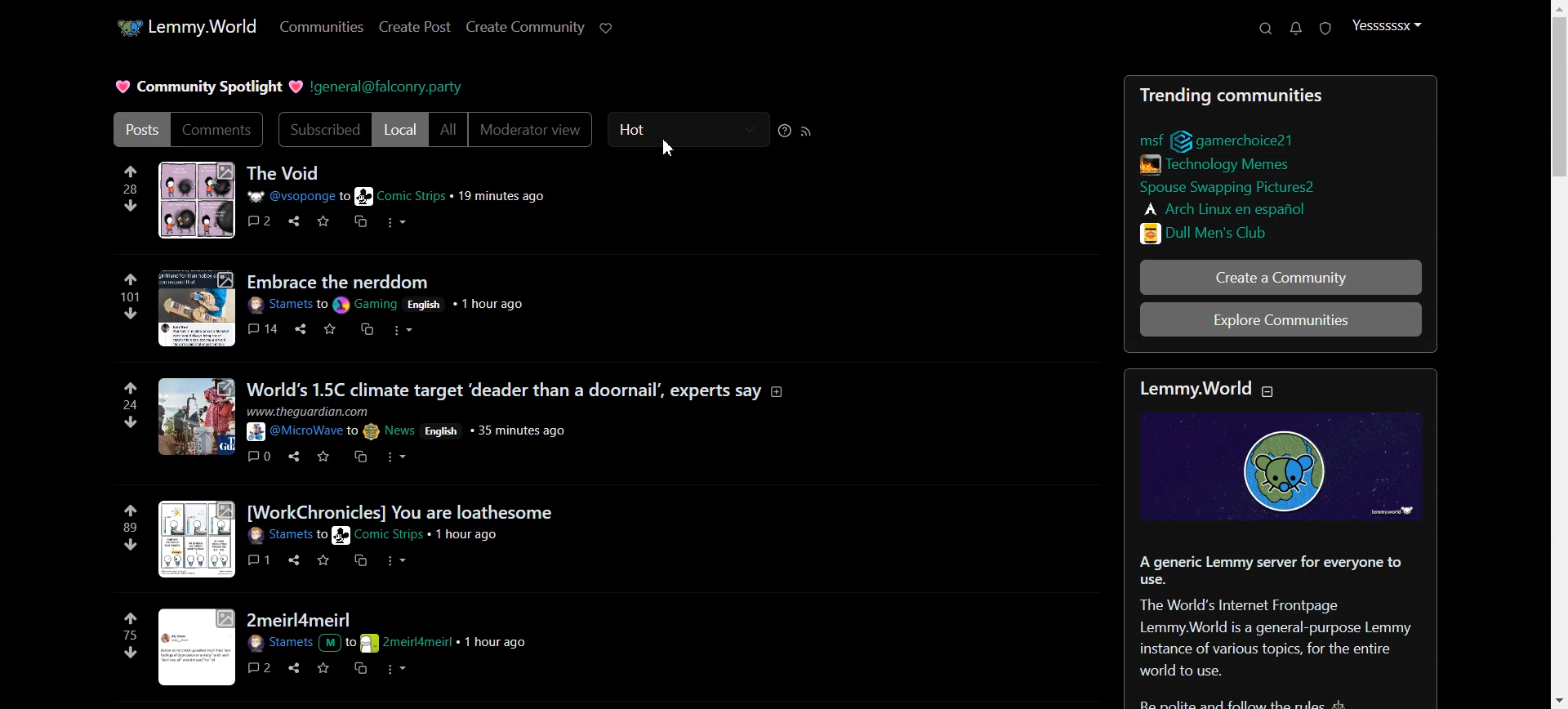 The height and width of the screenshot is (709, 1568). What do you see at coordinates (328, 328) in the screenshot?
I see `save` at bounding box center [328, 328].